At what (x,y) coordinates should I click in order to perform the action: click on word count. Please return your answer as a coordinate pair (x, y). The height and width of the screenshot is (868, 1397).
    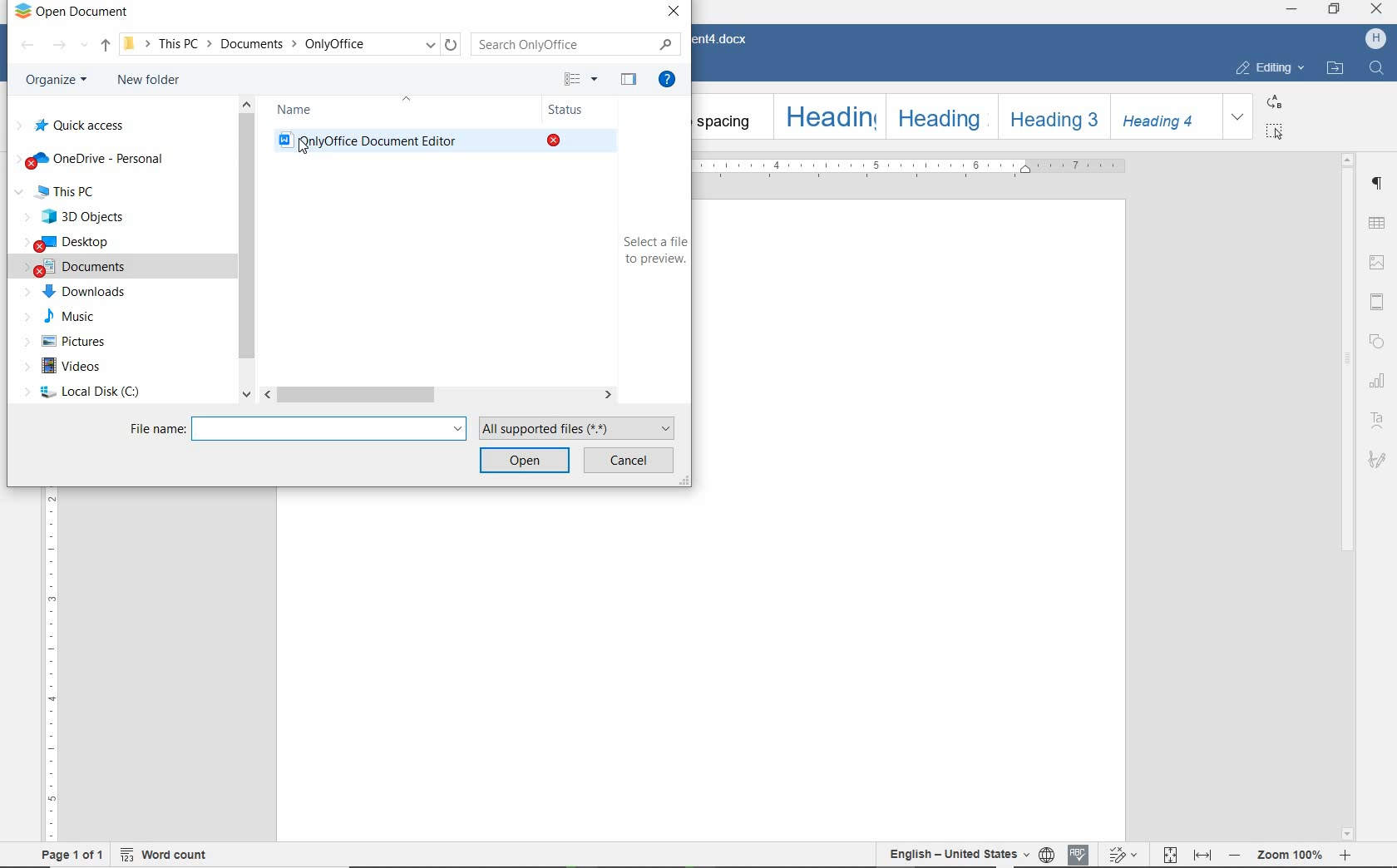
    Looking at the image, I should click on (165, 856).